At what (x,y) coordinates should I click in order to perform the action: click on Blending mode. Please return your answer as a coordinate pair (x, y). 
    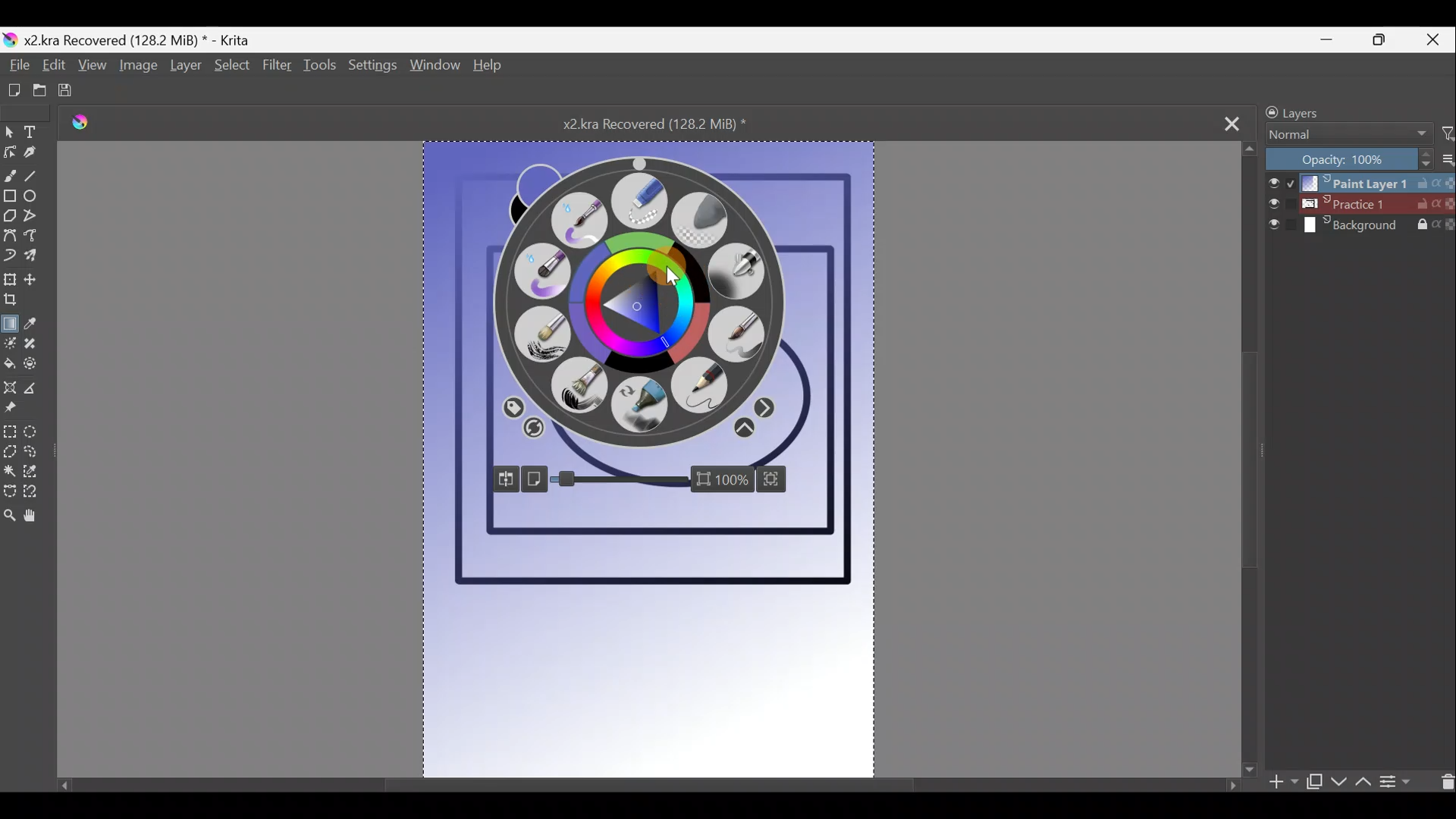
    Looking at the image, I should click on (1343, 136).